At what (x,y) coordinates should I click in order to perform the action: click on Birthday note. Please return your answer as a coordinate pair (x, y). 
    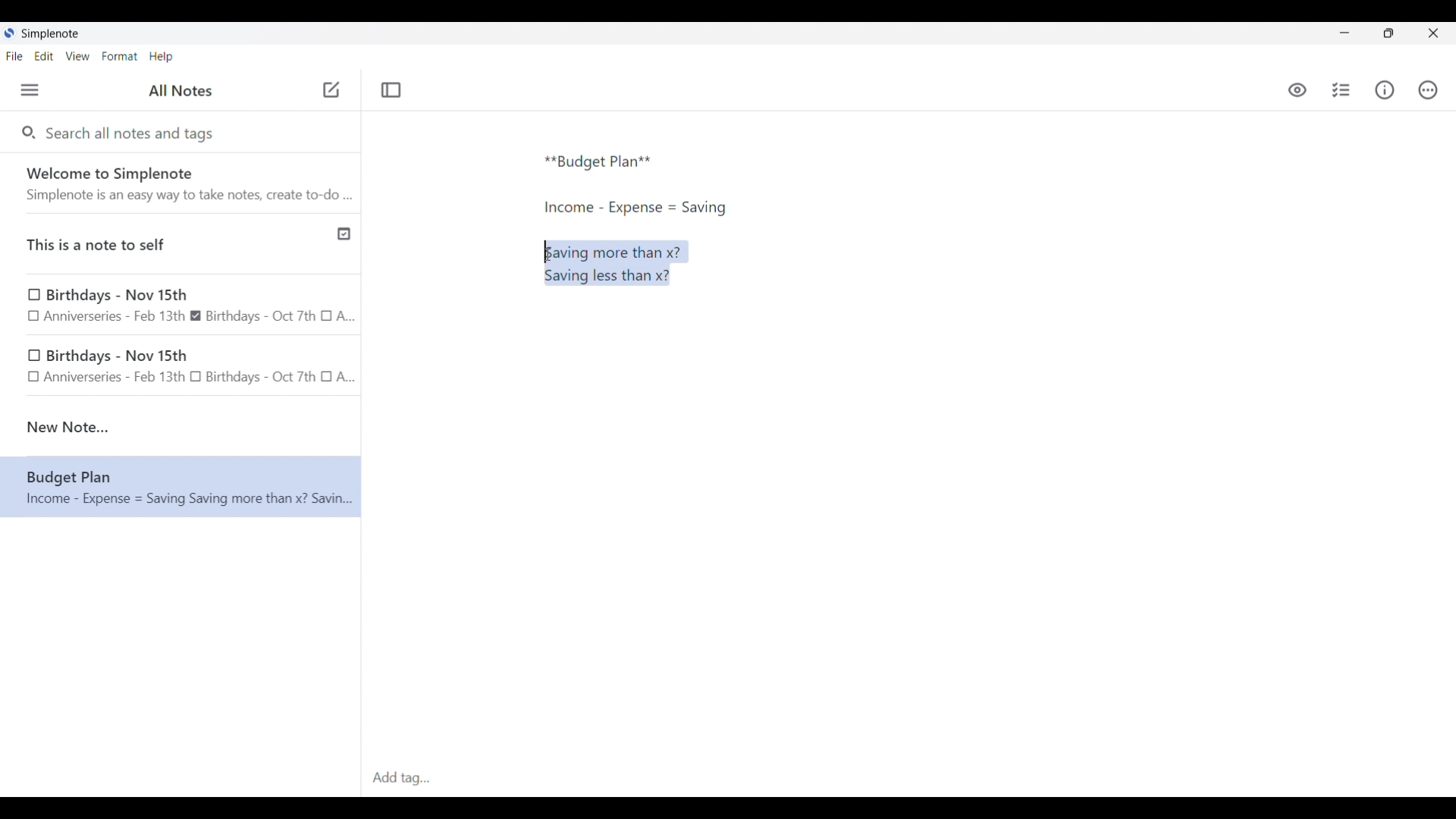
    Looking at the image, I should click on (181, 305).